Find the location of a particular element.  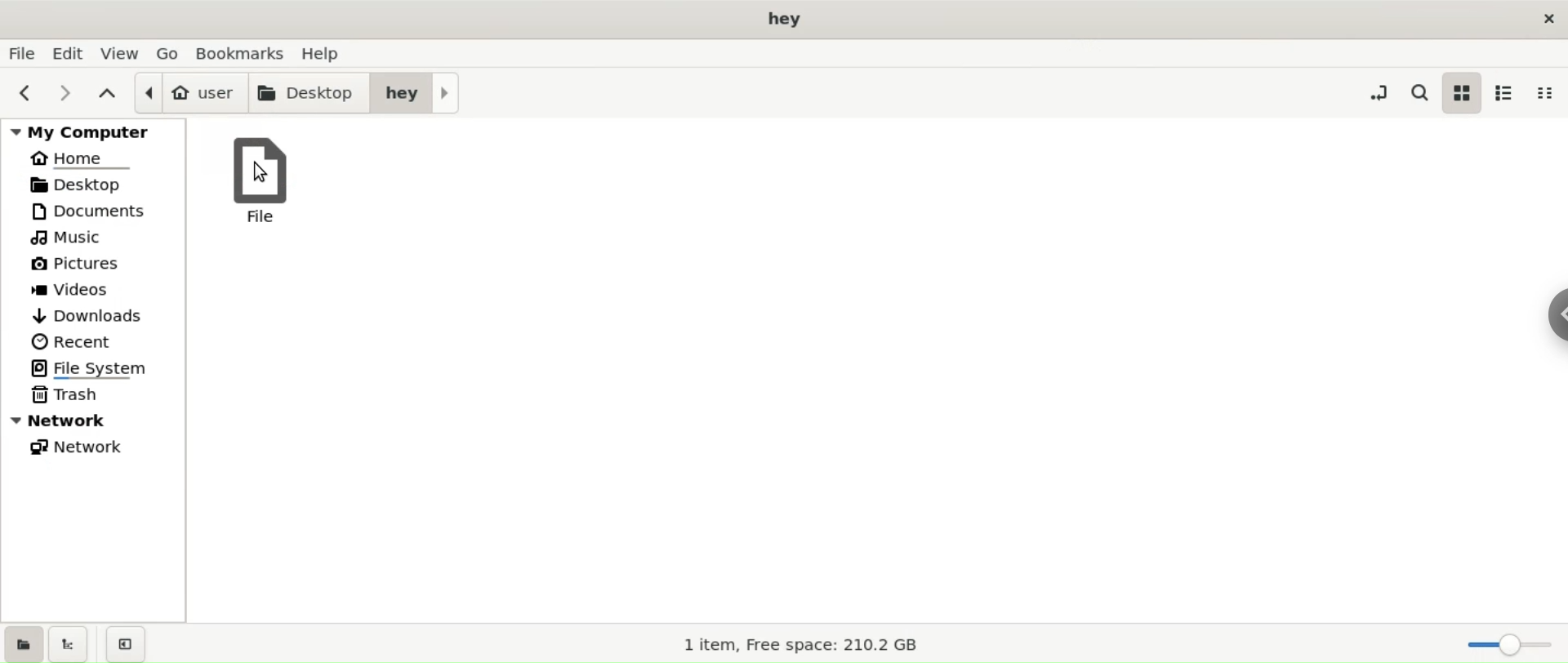

show places is located at coordinates (21, 643).